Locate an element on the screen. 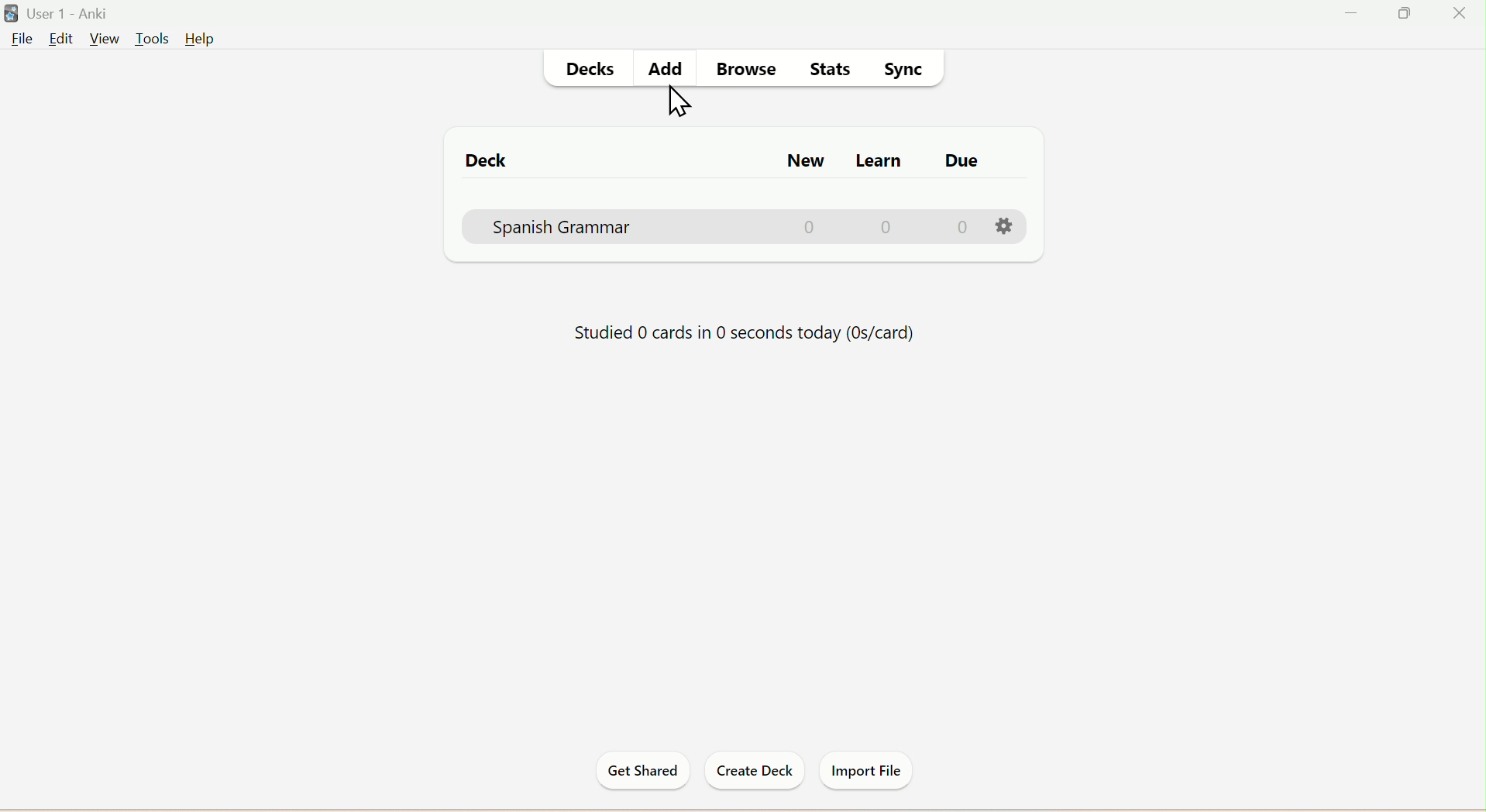 The height and width of the screenshot is (812, 1486). Stats is located at coordinates (831, 68).